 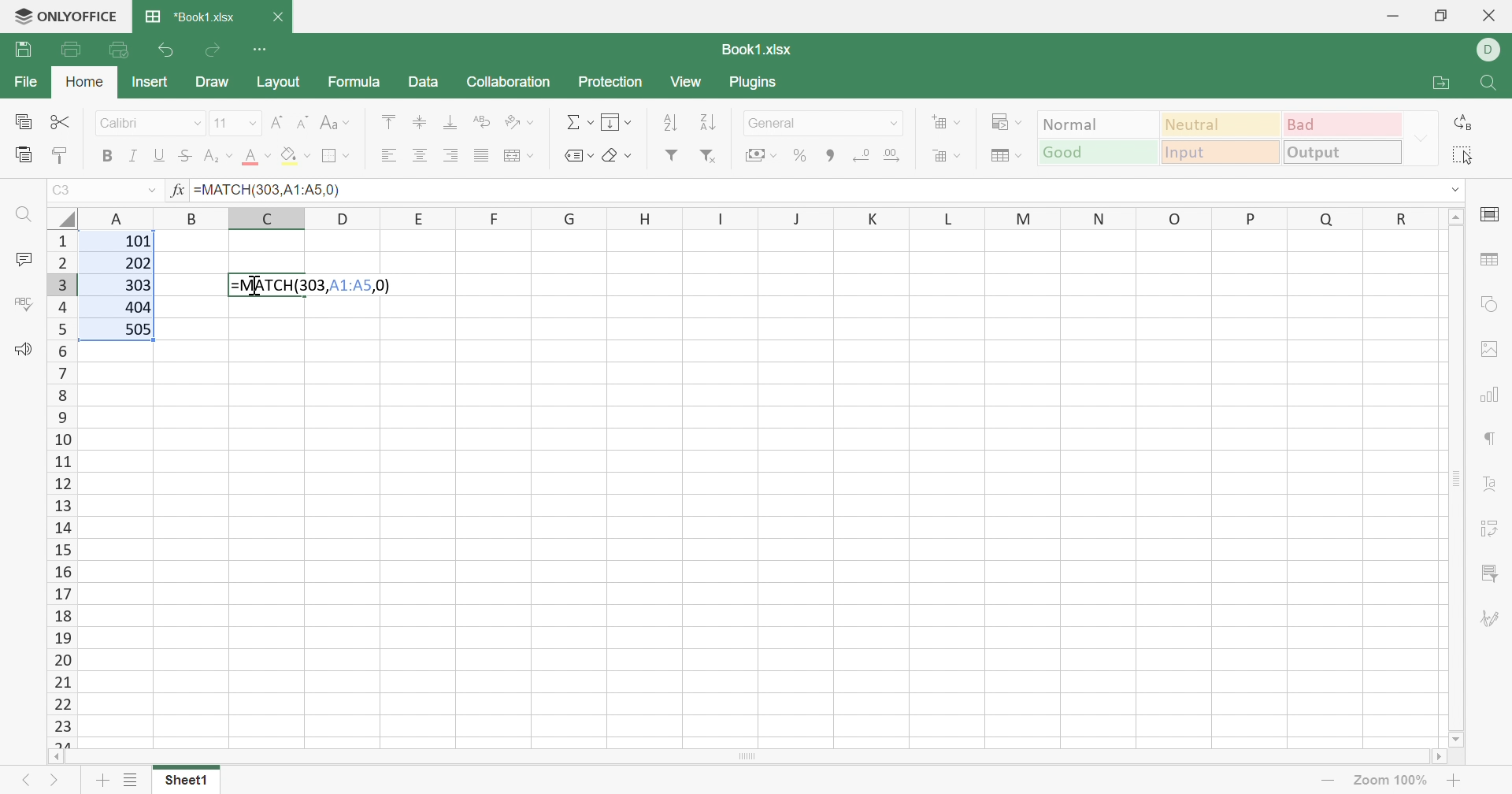 What do you see at coordinates (521, 154) in the screenshot?
I see `Merge and center` at bounding box center [521, 154].